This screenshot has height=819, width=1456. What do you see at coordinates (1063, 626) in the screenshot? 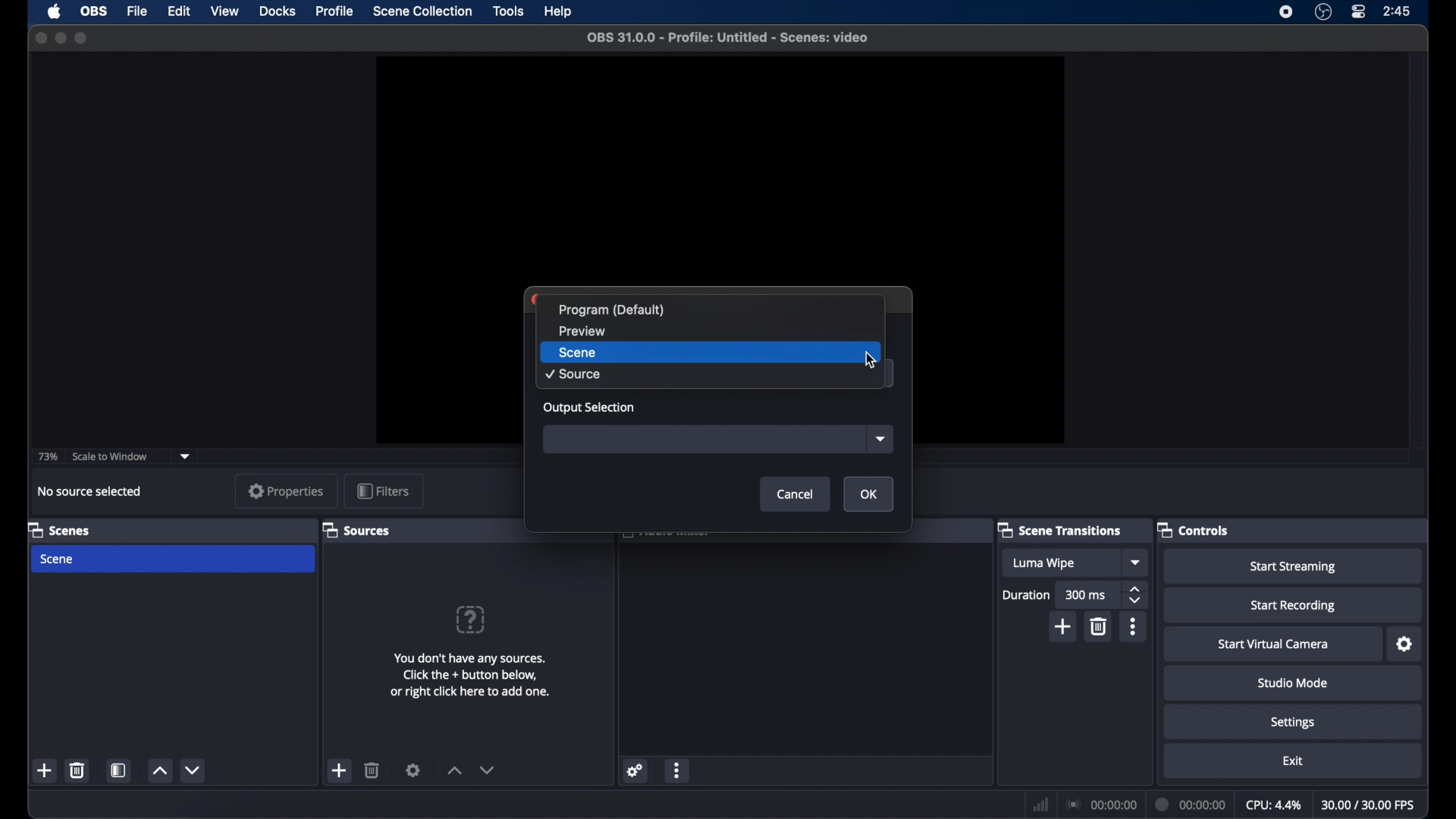
I see `add` at bounding box center [1063, 626].